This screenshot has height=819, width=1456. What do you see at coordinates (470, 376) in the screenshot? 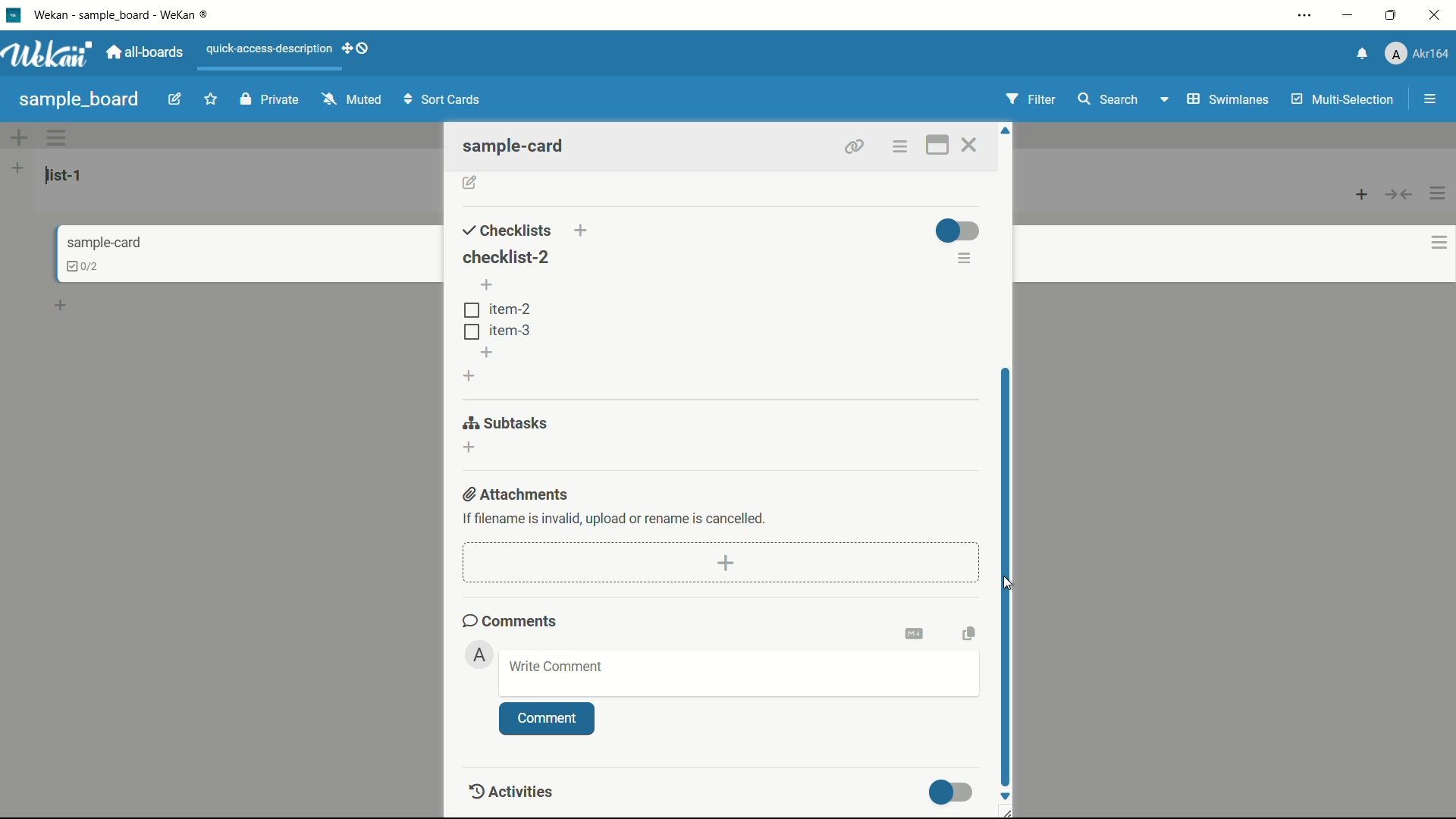
I see `add checklist` at bounding box center [470, 376].